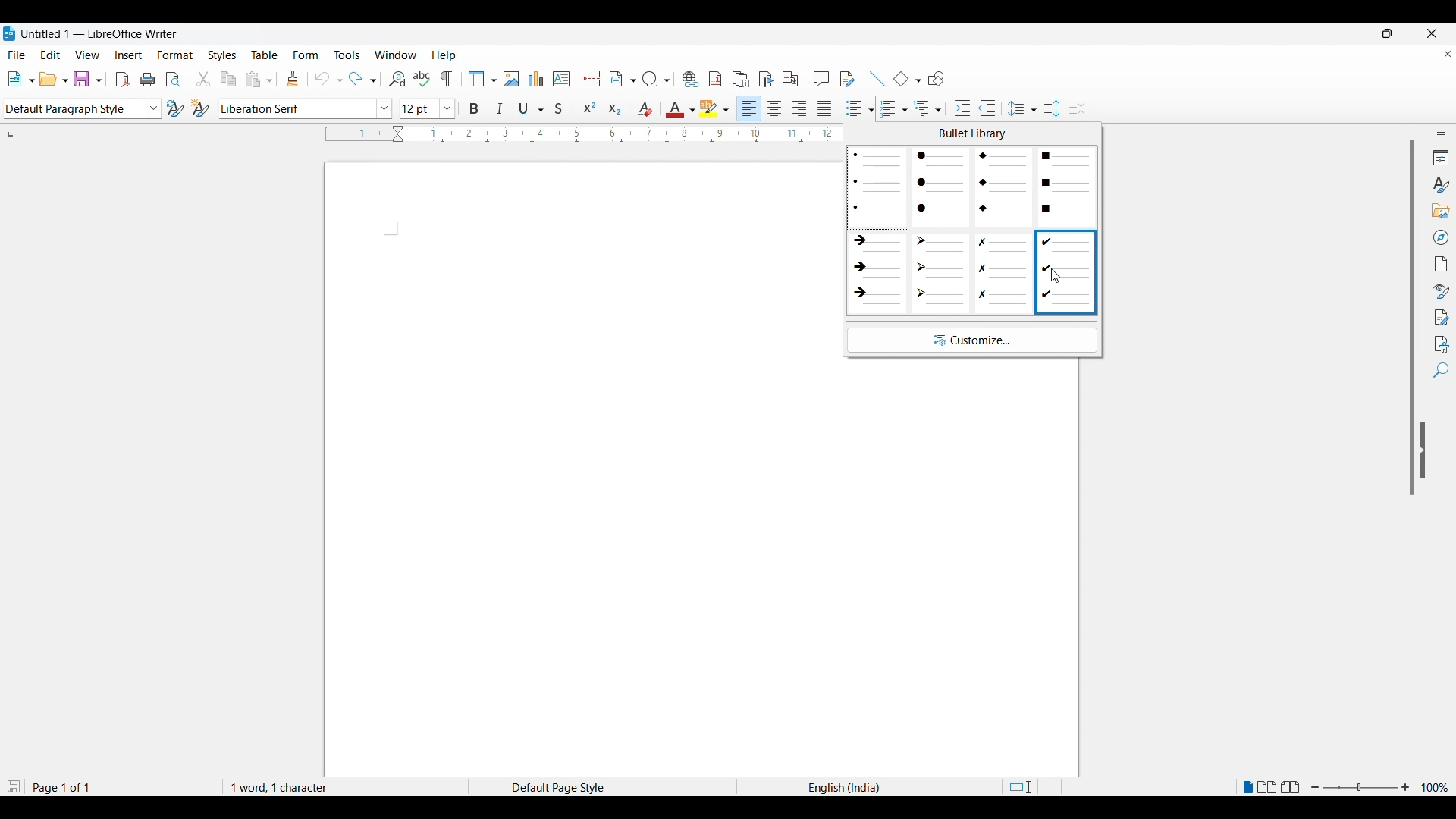  What do you see at coordinates (590, 106) in the screenshot?
I see `superscript` at bounding box center [590, 106].